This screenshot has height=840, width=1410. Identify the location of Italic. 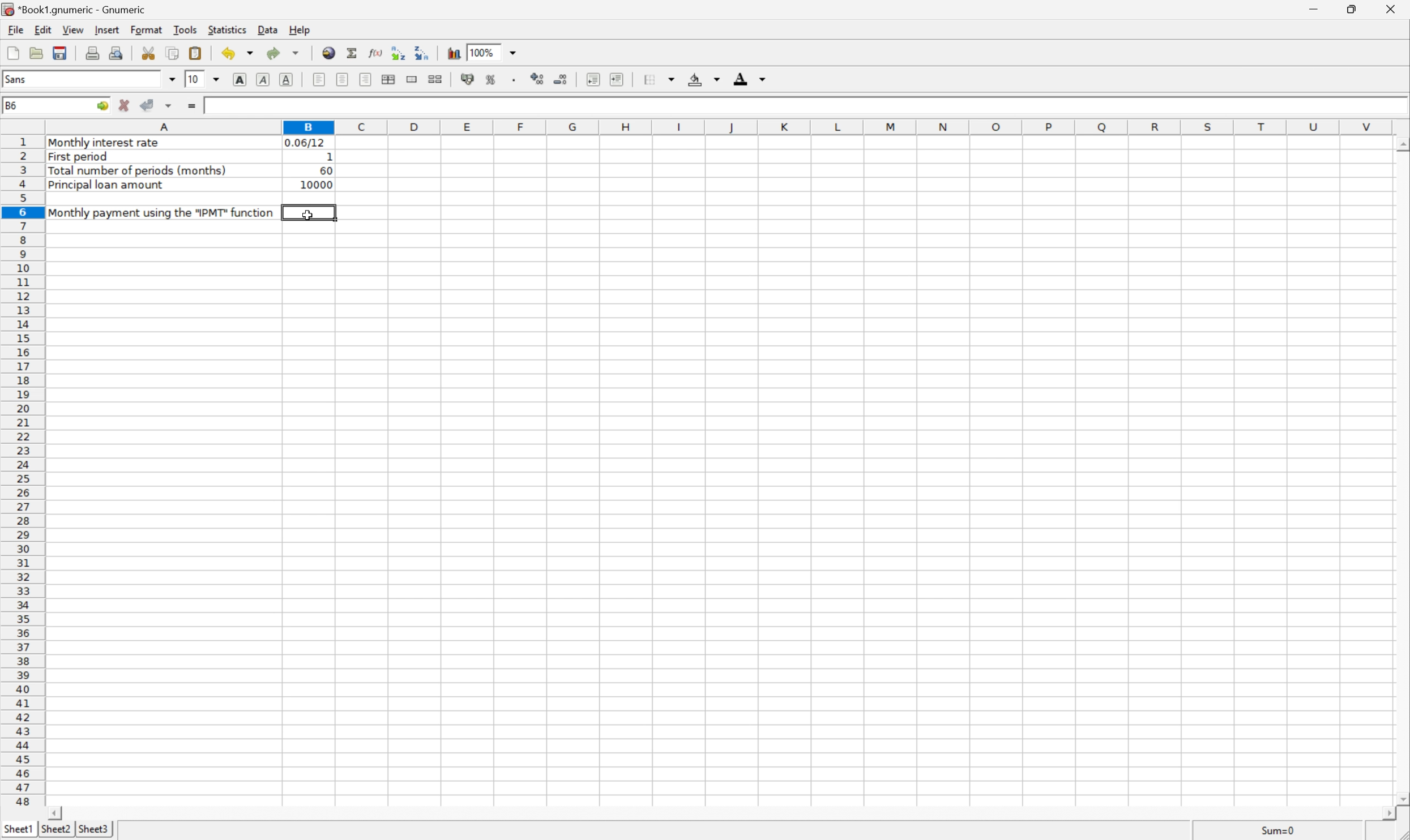
(266, 79).